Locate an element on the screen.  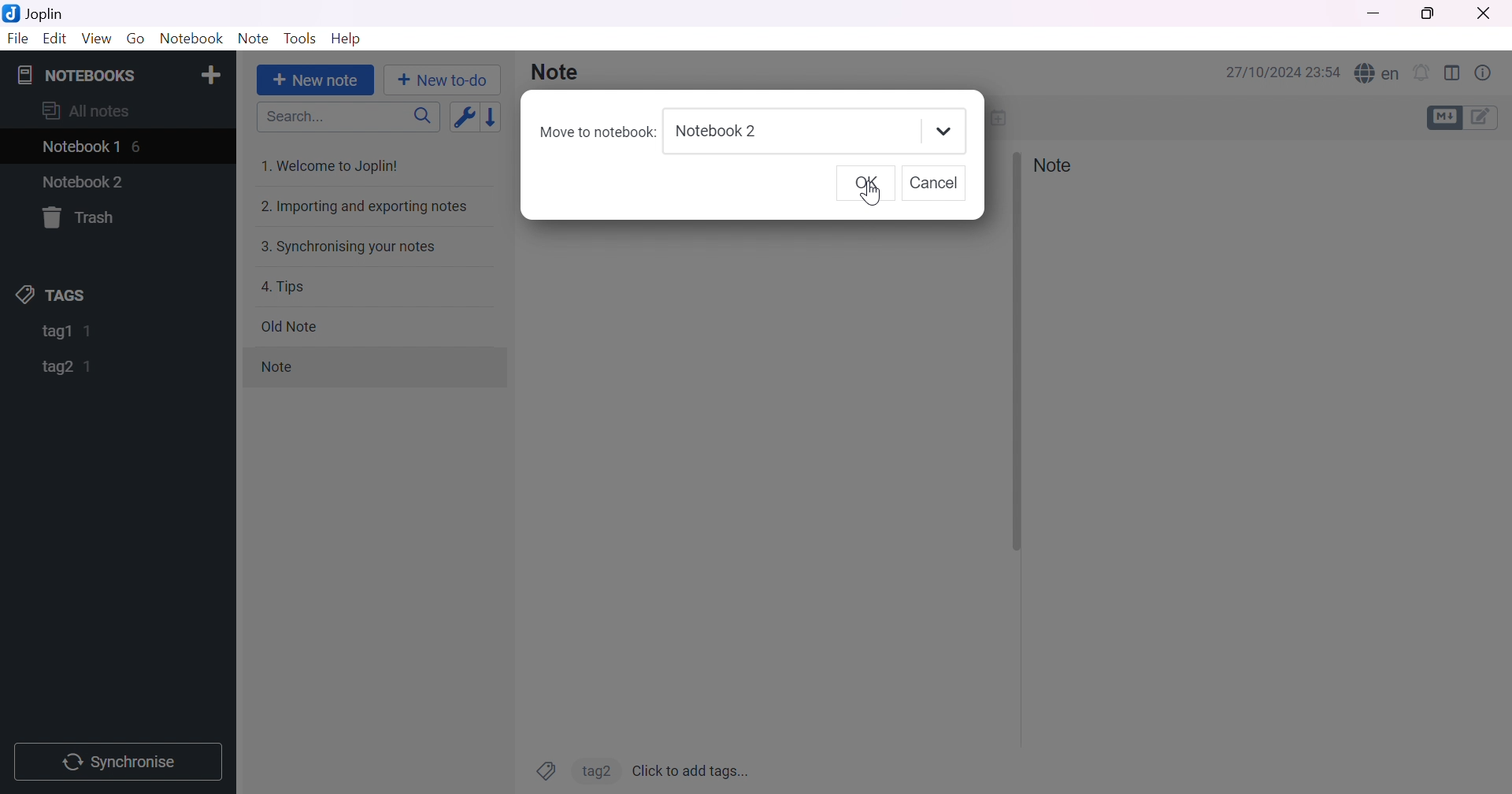
Go is located at coordinates (136, 42).